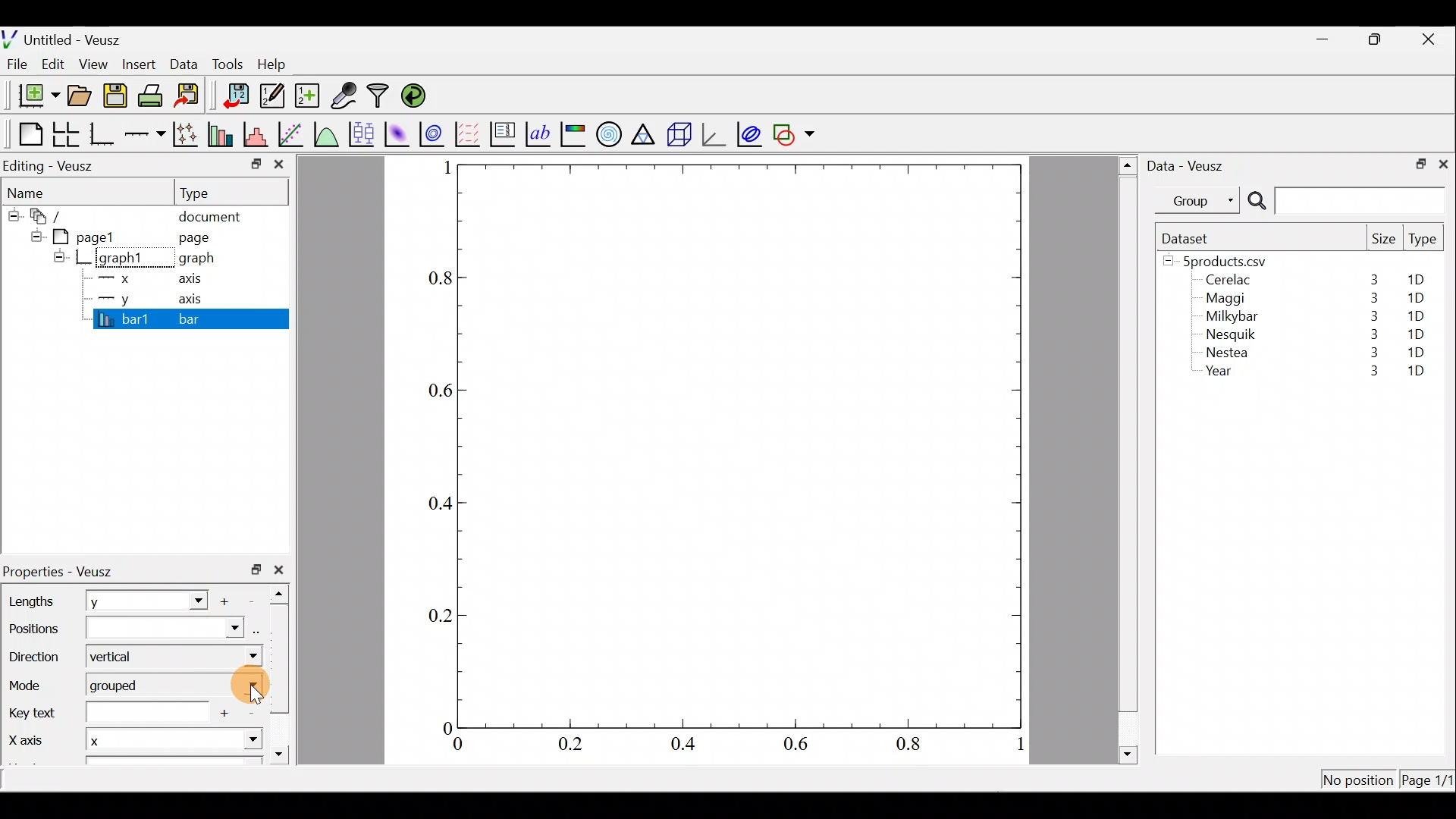 Image resolution: width=1456 pixels, height=819 pixels. What do you see at coordinates (570, 743) in the screenshot?
I see `0.2` at bounding box center [570, 743].